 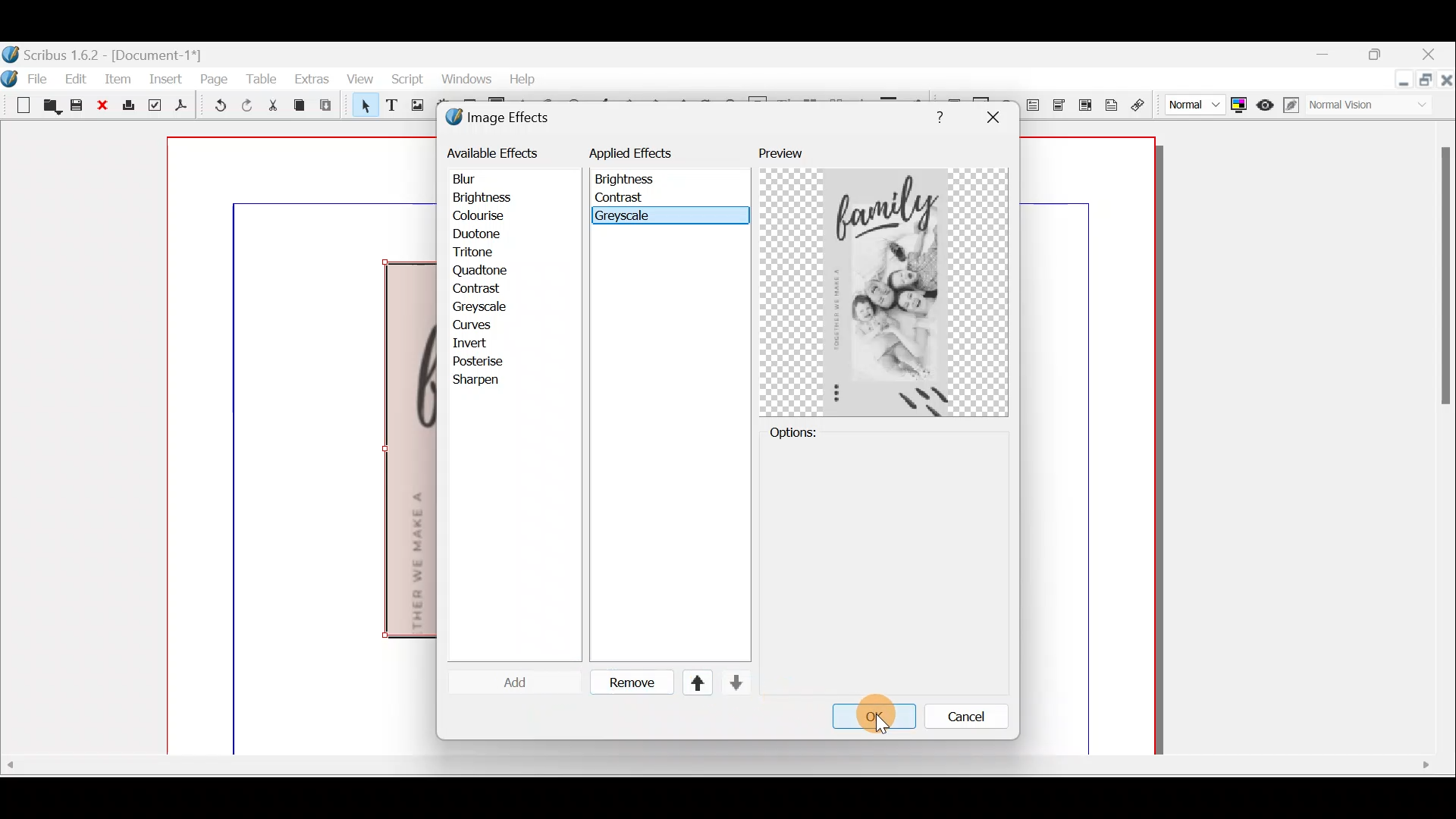 I want to click on maximise, so click(x=1423, y=83).